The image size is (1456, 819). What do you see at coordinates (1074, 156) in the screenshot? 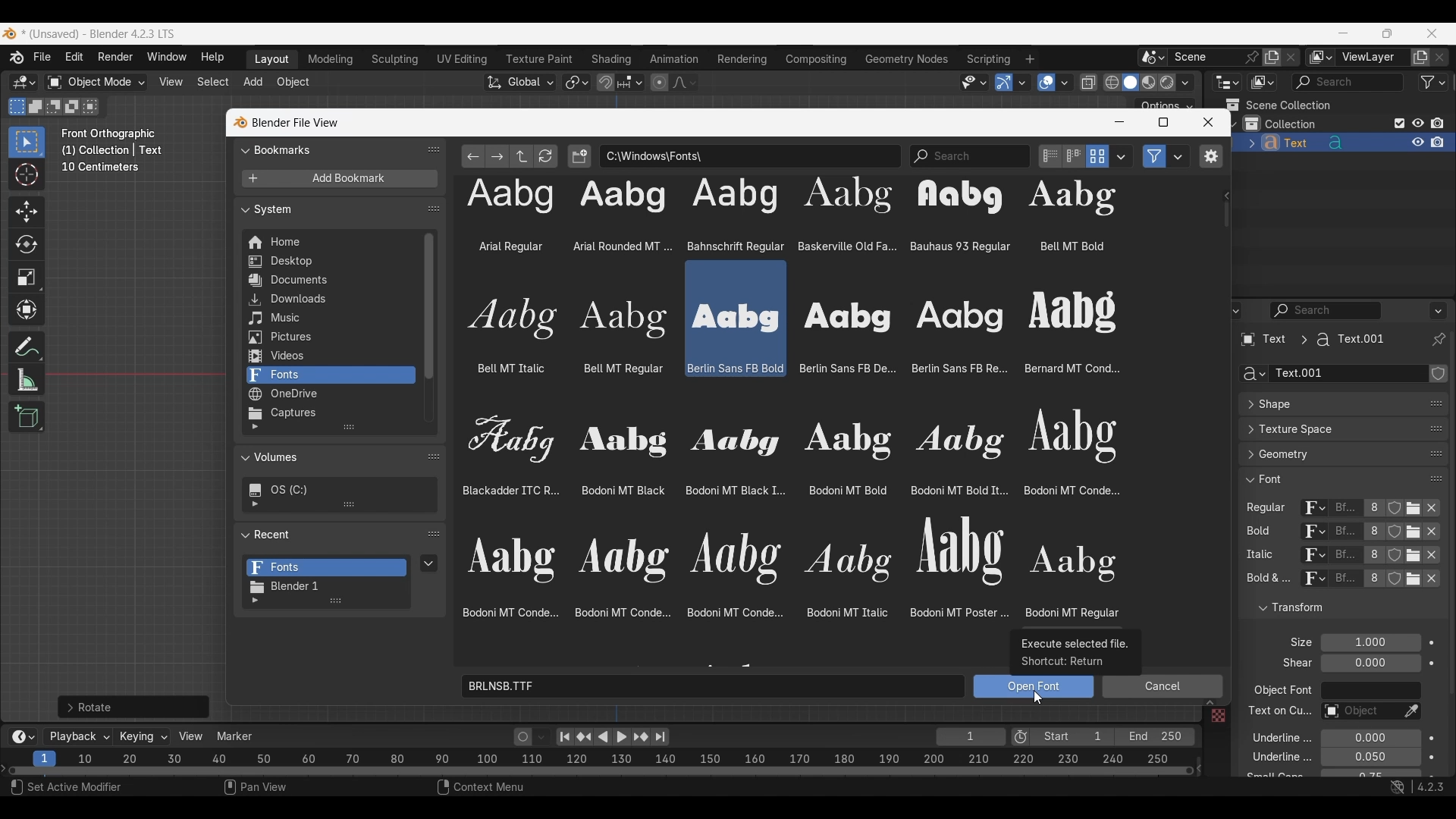
I see `Display settings, horizontal list` at bounding box center [1074, 156].